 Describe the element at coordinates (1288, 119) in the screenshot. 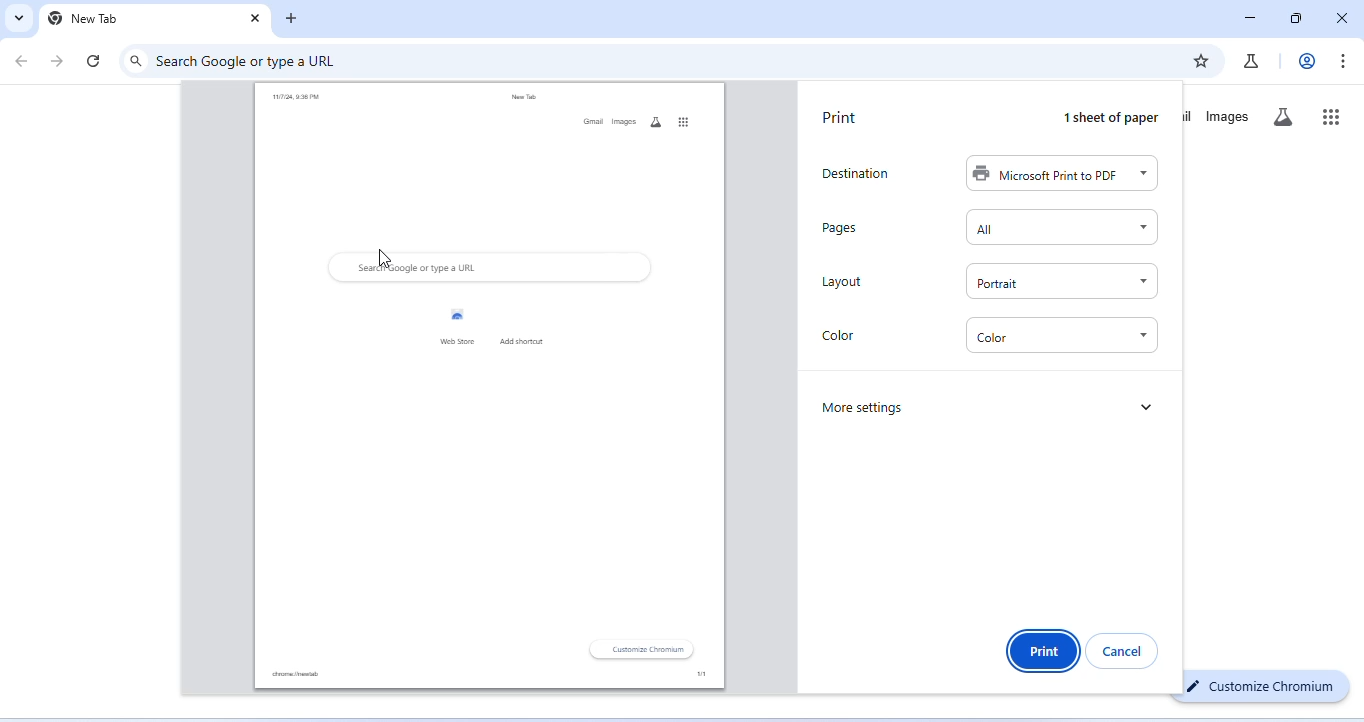

I see `search labs` at that location.